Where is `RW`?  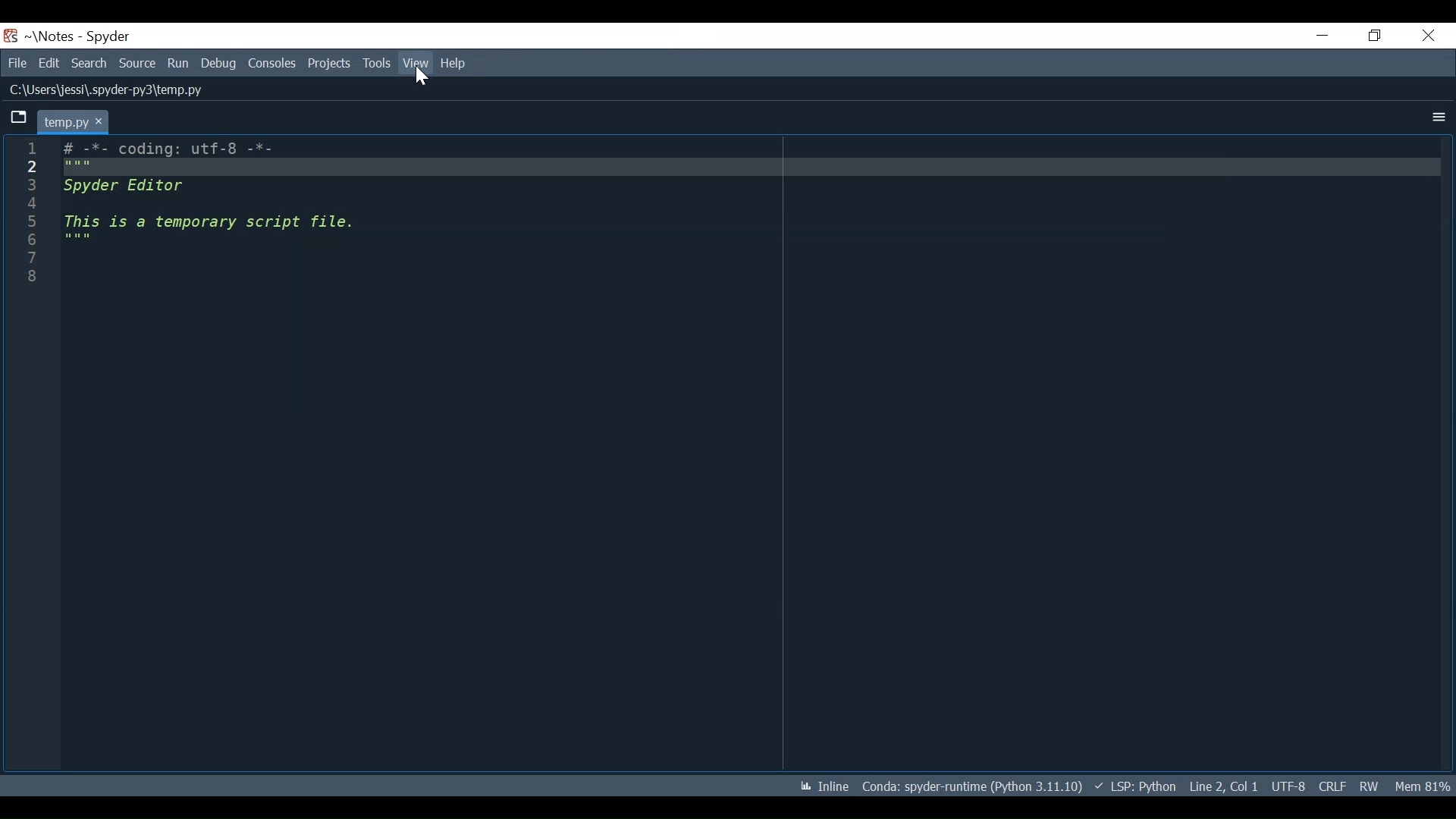
RW is located at coordinates (1370, 786).